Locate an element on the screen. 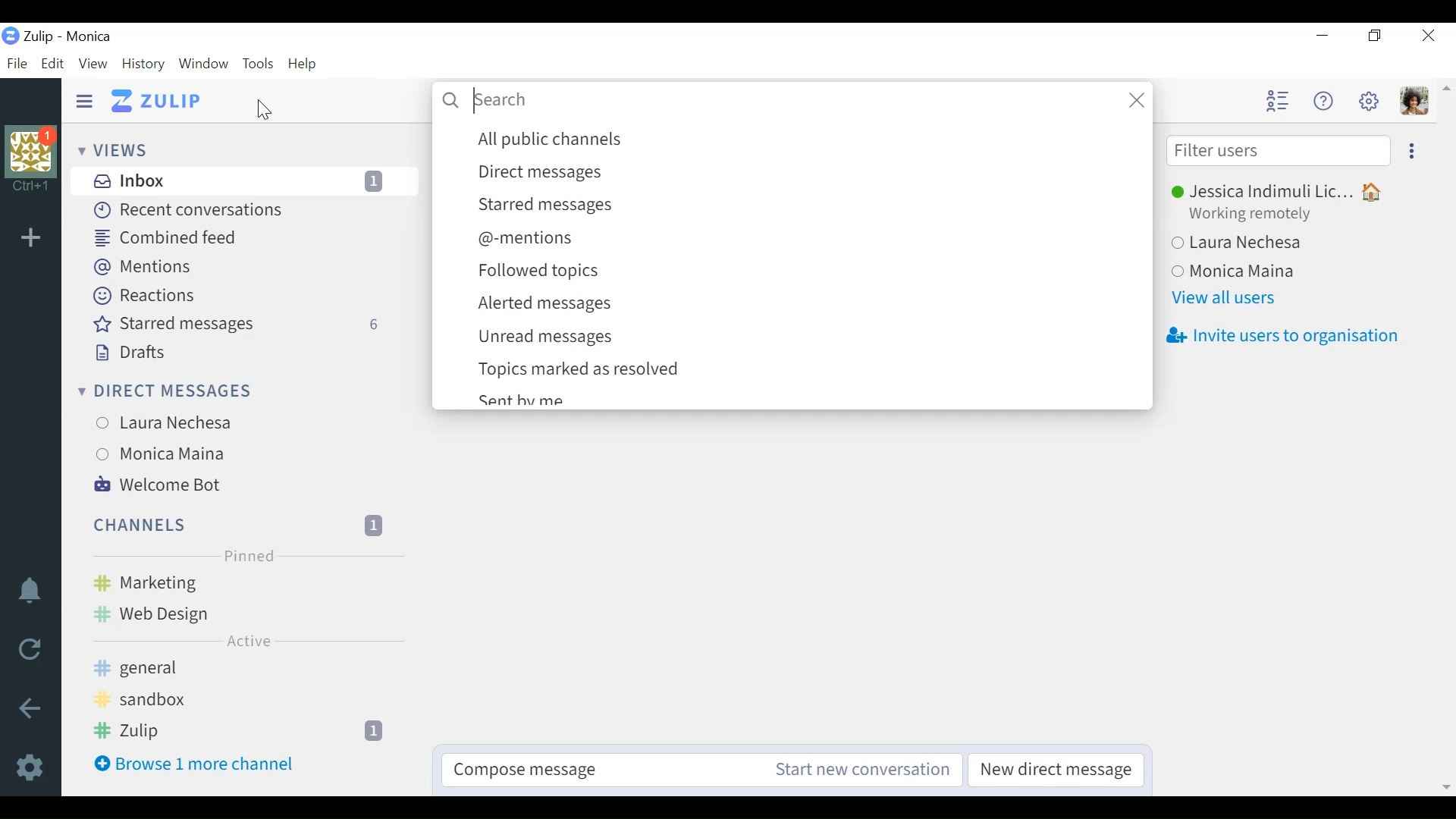  Mentions is located at coordinates (138, 267).